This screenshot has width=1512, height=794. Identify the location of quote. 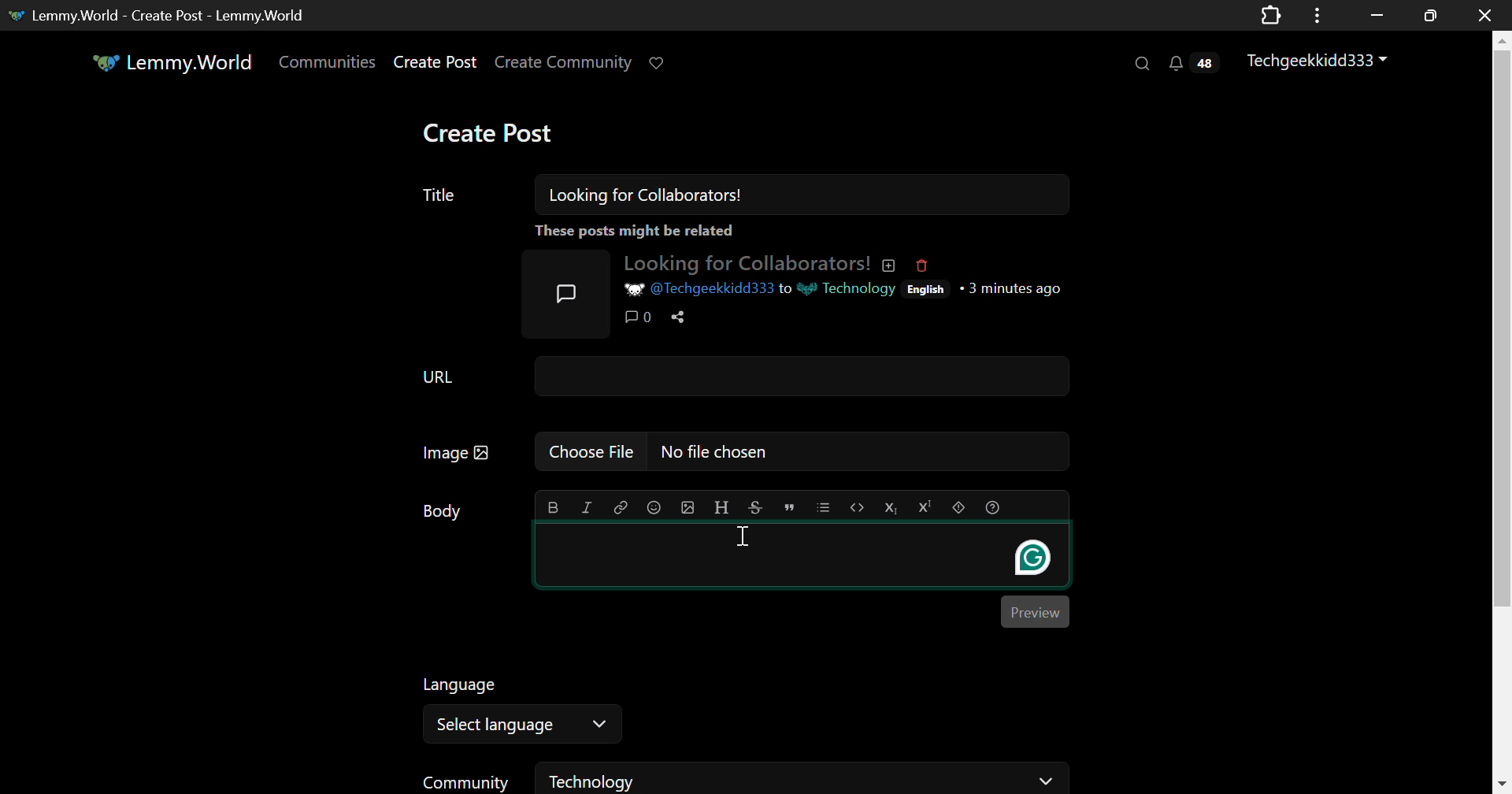
(788, 509).